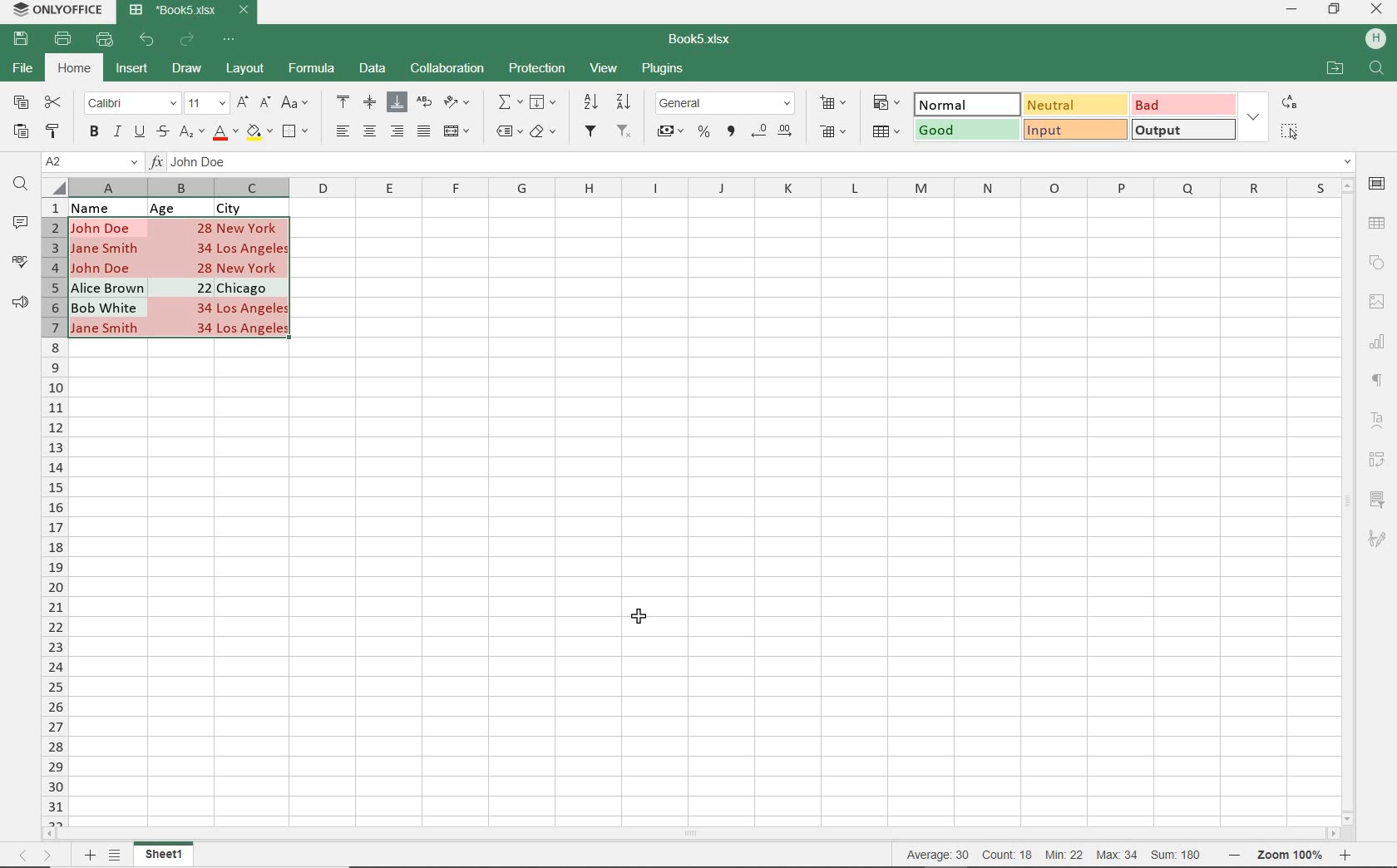 Image resolution: width=1397 pixels, height=868 pixels. Describe the element at coordinates (664, 70) in the screenshot. I see `PLUGINS` at that location.